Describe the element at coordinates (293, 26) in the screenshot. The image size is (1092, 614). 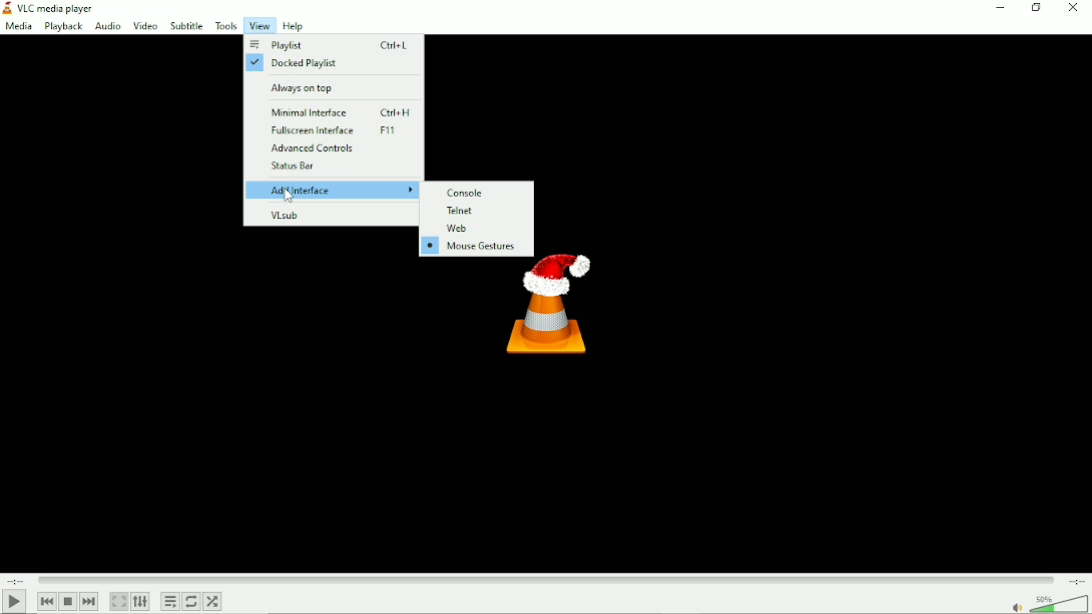
I see `Help` at that location.